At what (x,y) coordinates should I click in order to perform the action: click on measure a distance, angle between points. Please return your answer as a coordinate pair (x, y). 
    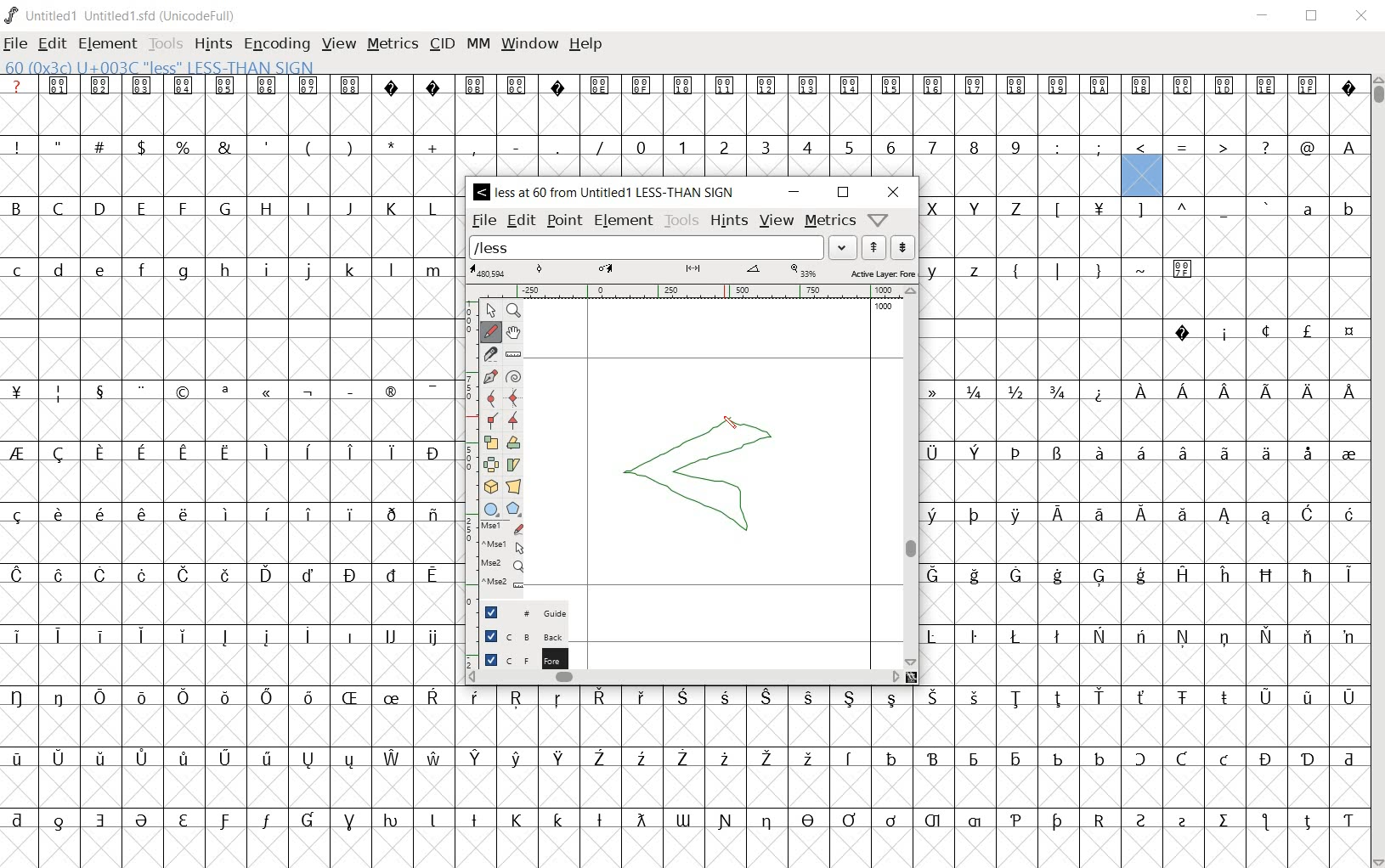
    Looking at the image, I should click on (514, 354).